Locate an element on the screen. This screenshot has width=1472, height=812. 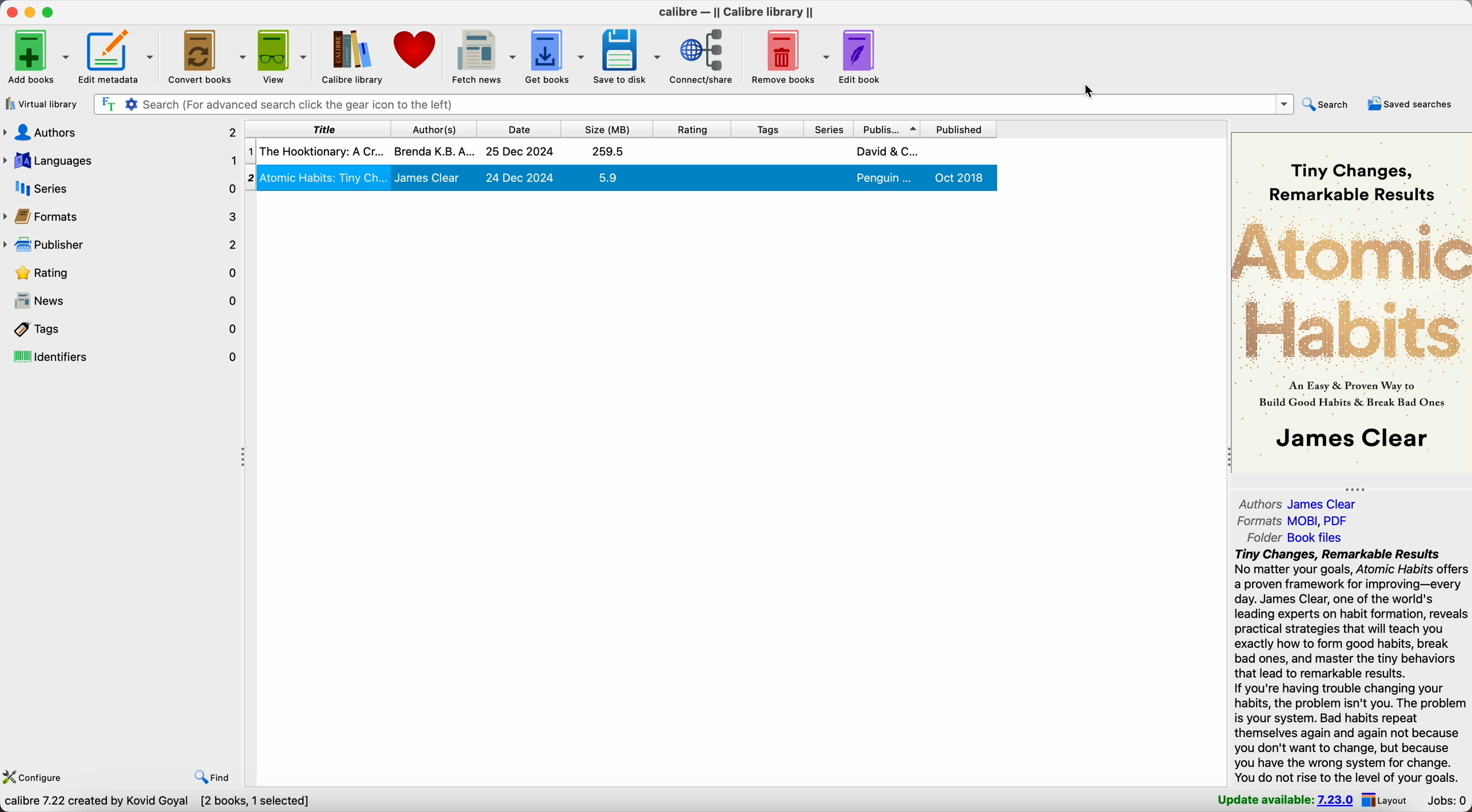
authors is located at coordinates (1301, 503).